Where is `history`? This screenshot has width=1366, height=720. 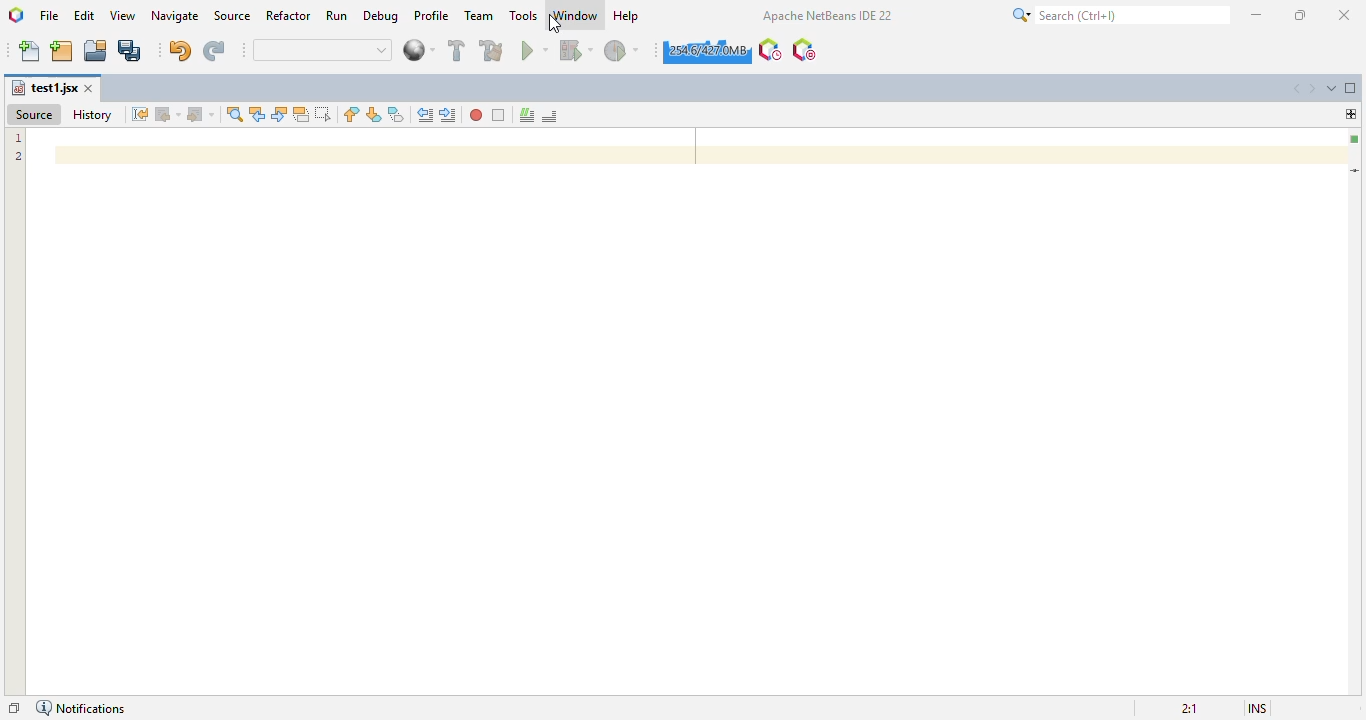
history is located at coordinates (92, 115).